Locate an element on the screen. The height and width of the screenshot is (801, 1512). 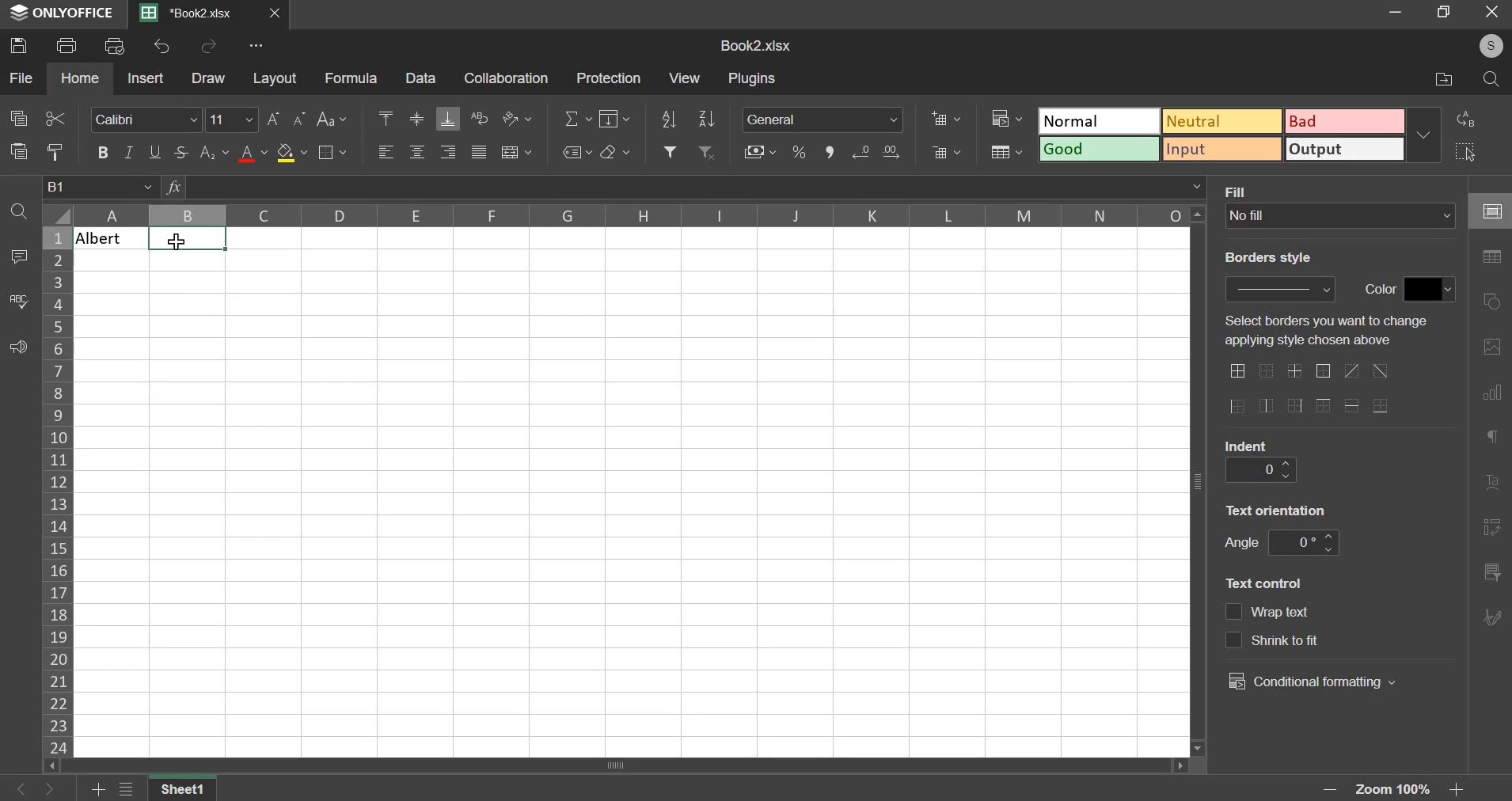
current sheet is located at coordinates (193, 14).